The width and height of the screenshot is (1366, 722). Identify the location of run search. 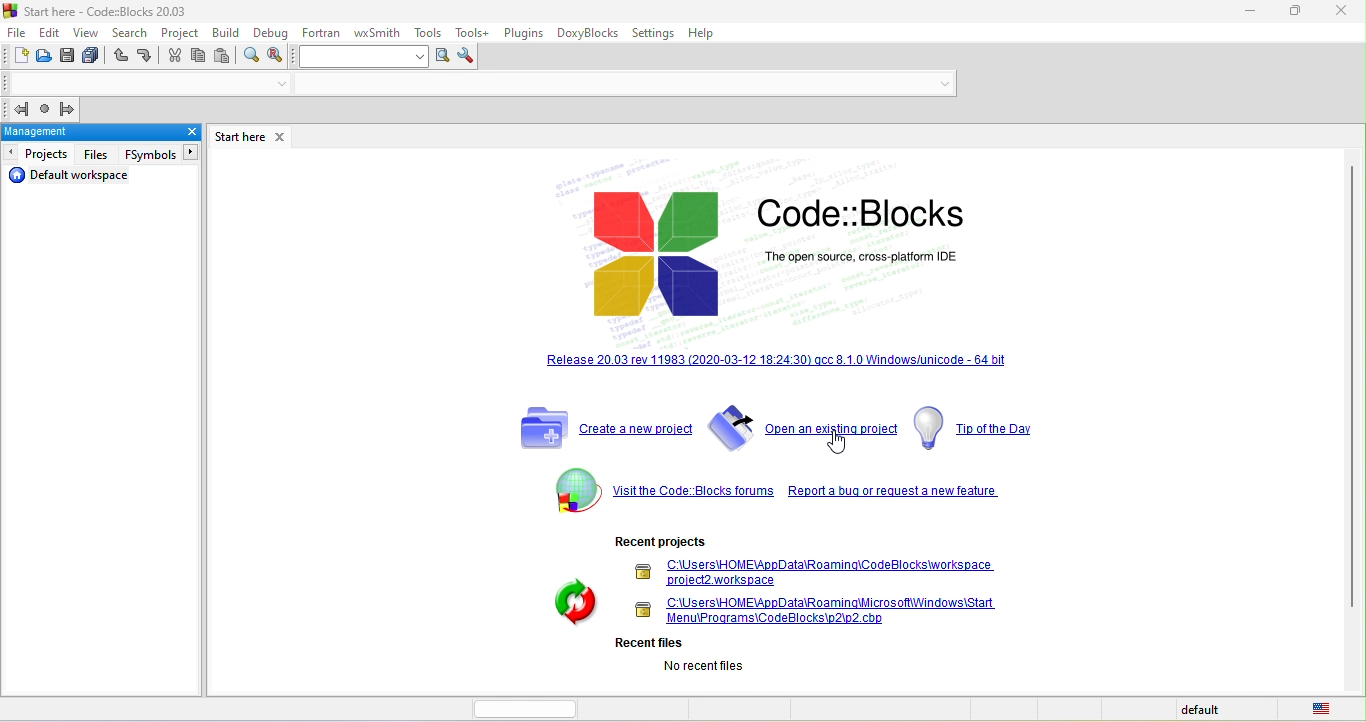
(444, 56).